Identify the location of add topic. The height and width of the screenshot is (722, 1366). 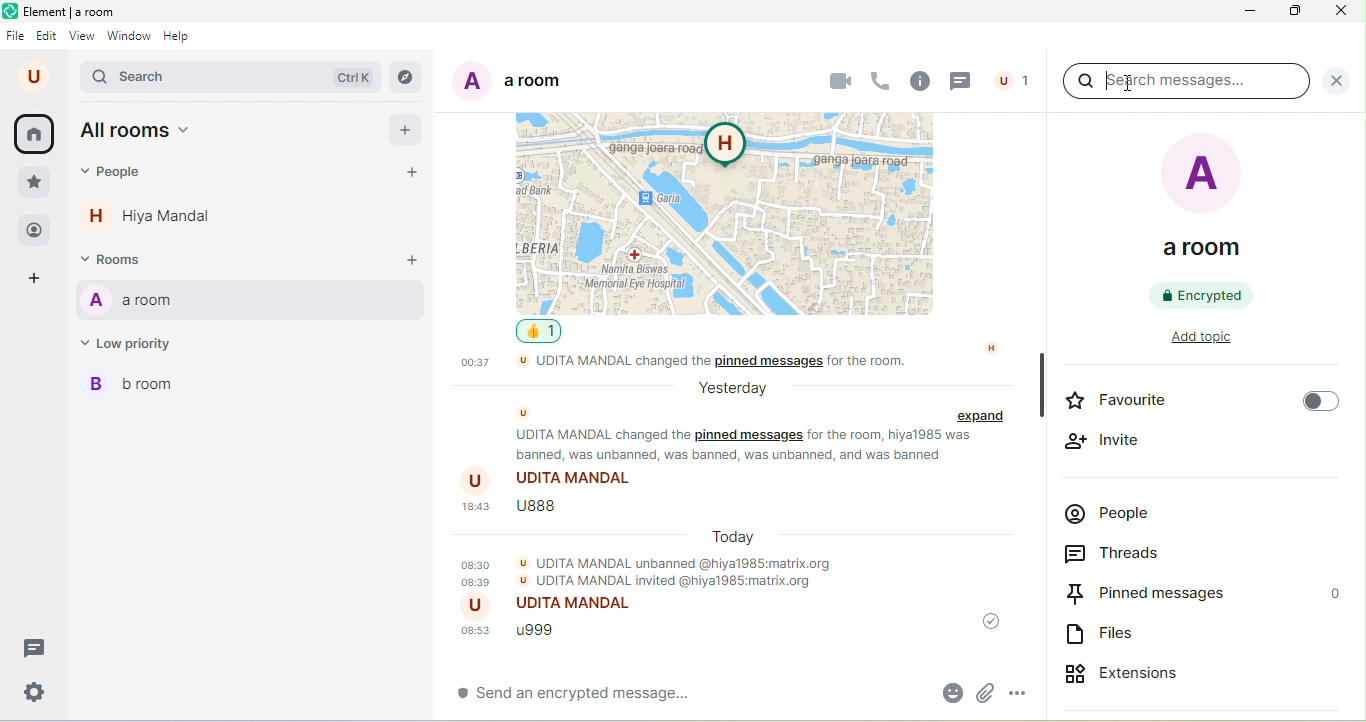
(1216, 340).